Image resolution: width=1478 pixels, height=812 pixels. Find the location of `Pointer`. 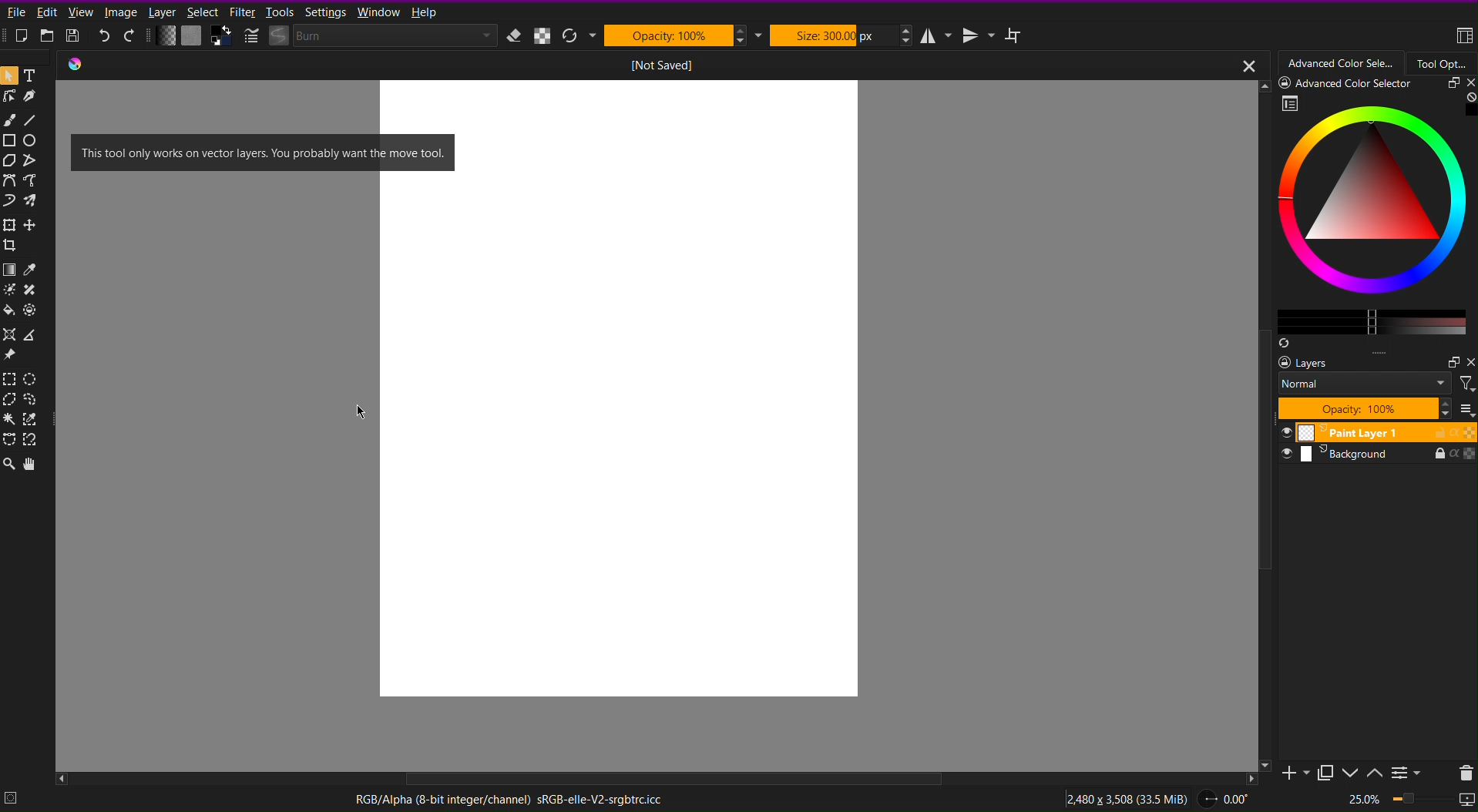

Pointer is located at coordinates (9, 76).